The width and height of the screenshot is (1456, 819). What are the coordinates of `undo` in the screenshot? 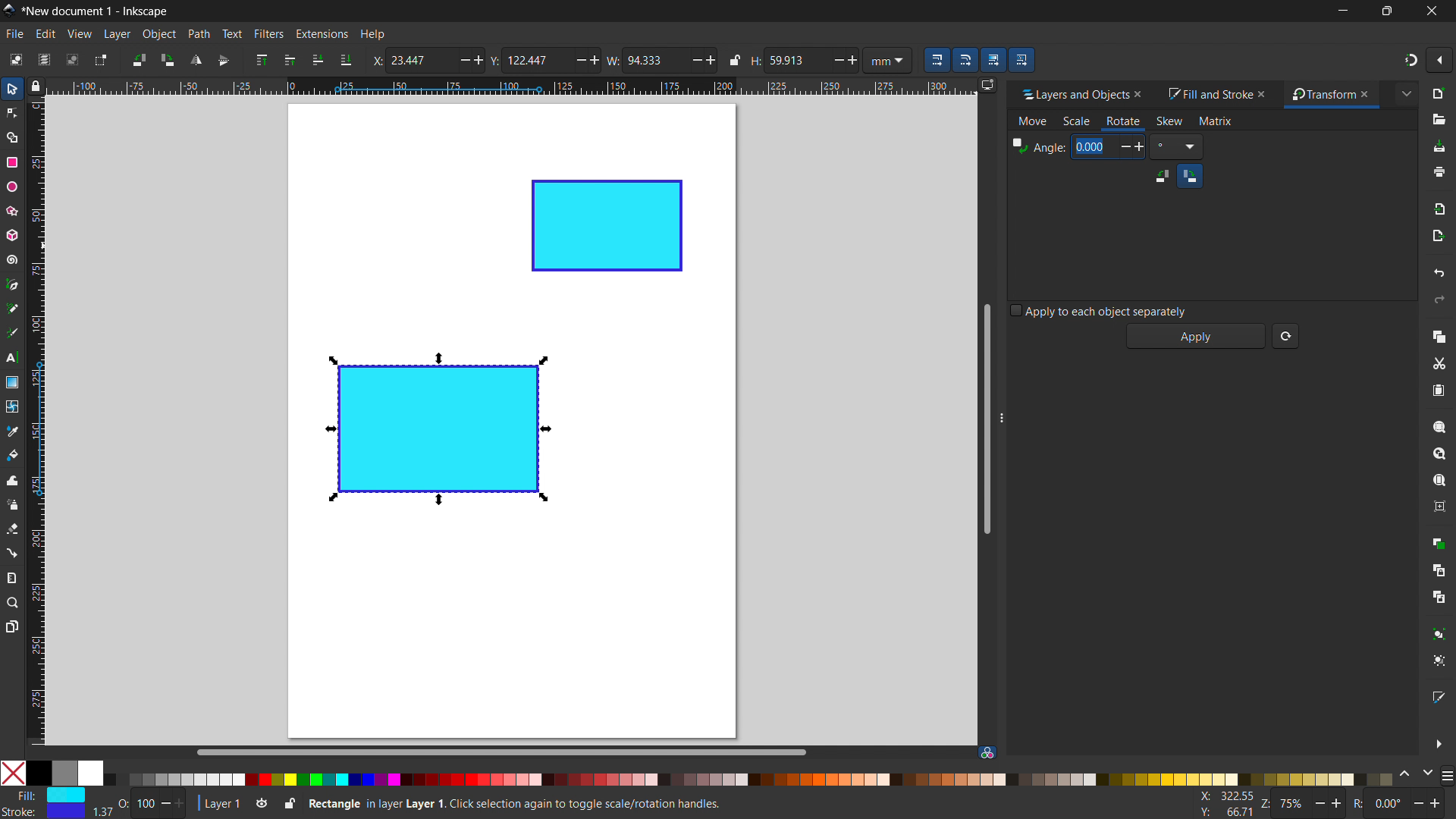 It's located at (1439, 272).